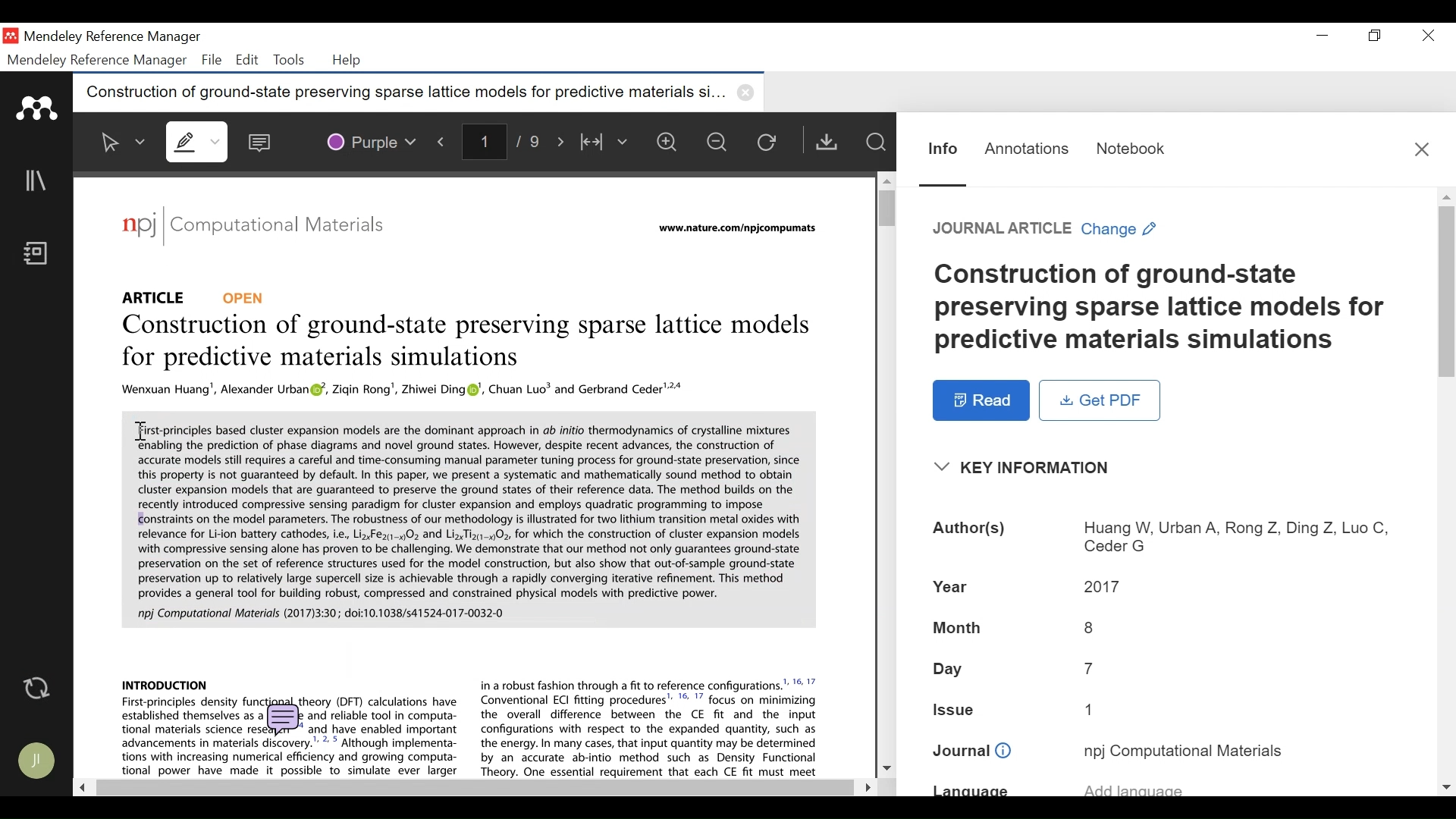 Image resolution: width=1456 pixels, height=819 pixels. Describe the element at coordinates (972, 752) in the screenshot. I see `Journal` at that location.